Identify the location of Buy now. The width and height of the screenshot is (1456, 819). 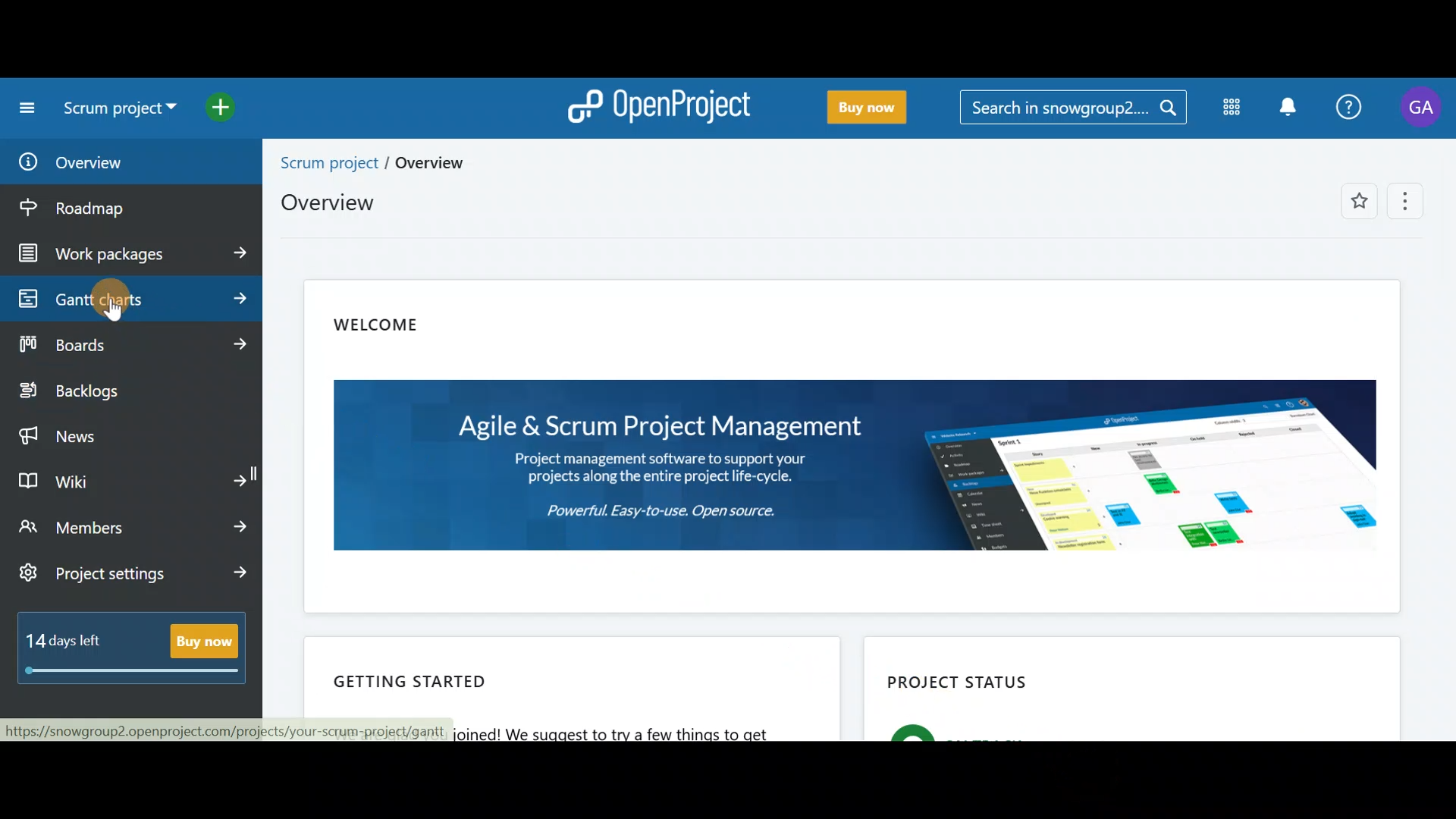
(872, 105).